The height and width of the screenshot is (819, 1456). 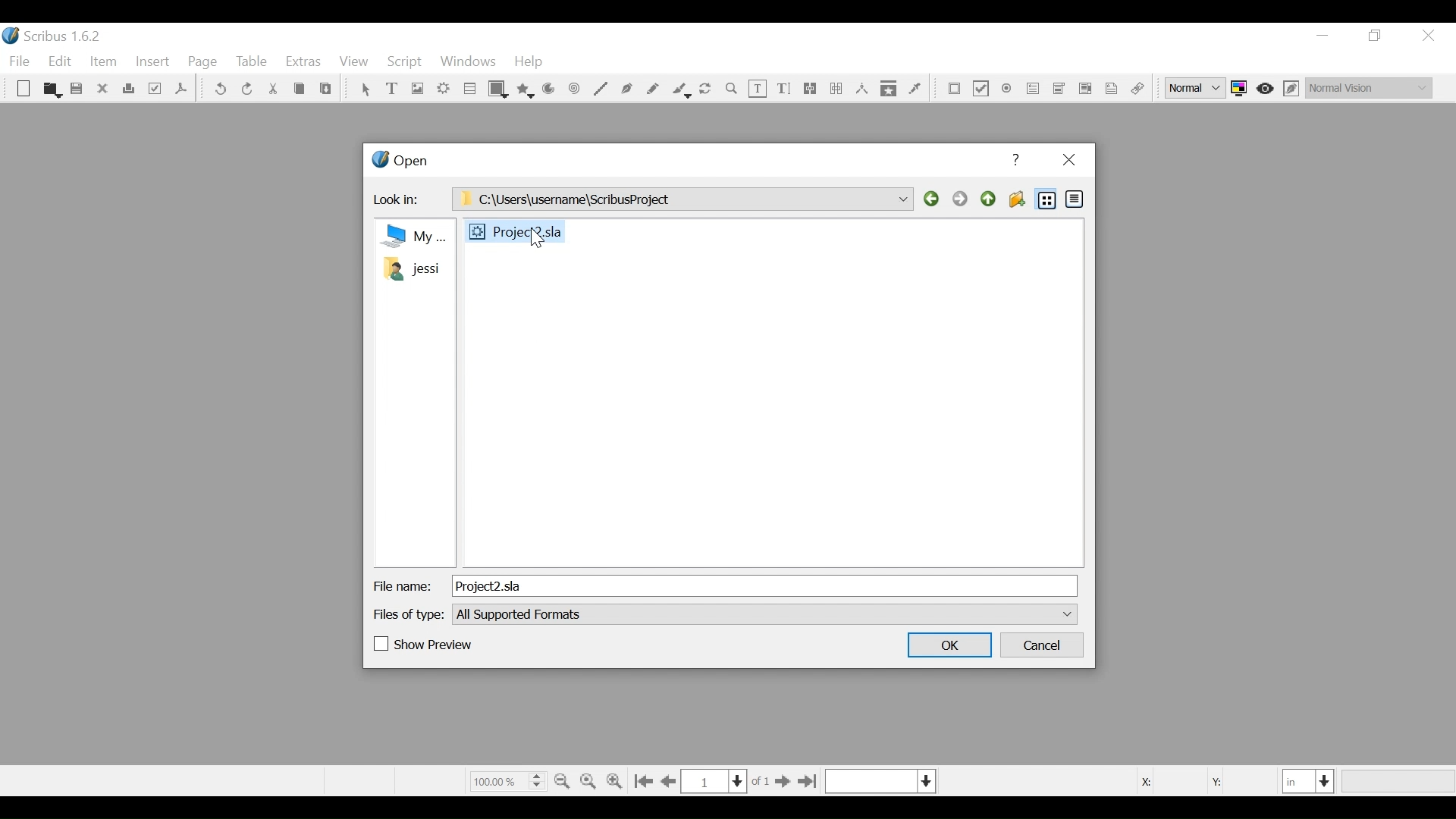 I want to click on Help, so click(x=529, y=63).